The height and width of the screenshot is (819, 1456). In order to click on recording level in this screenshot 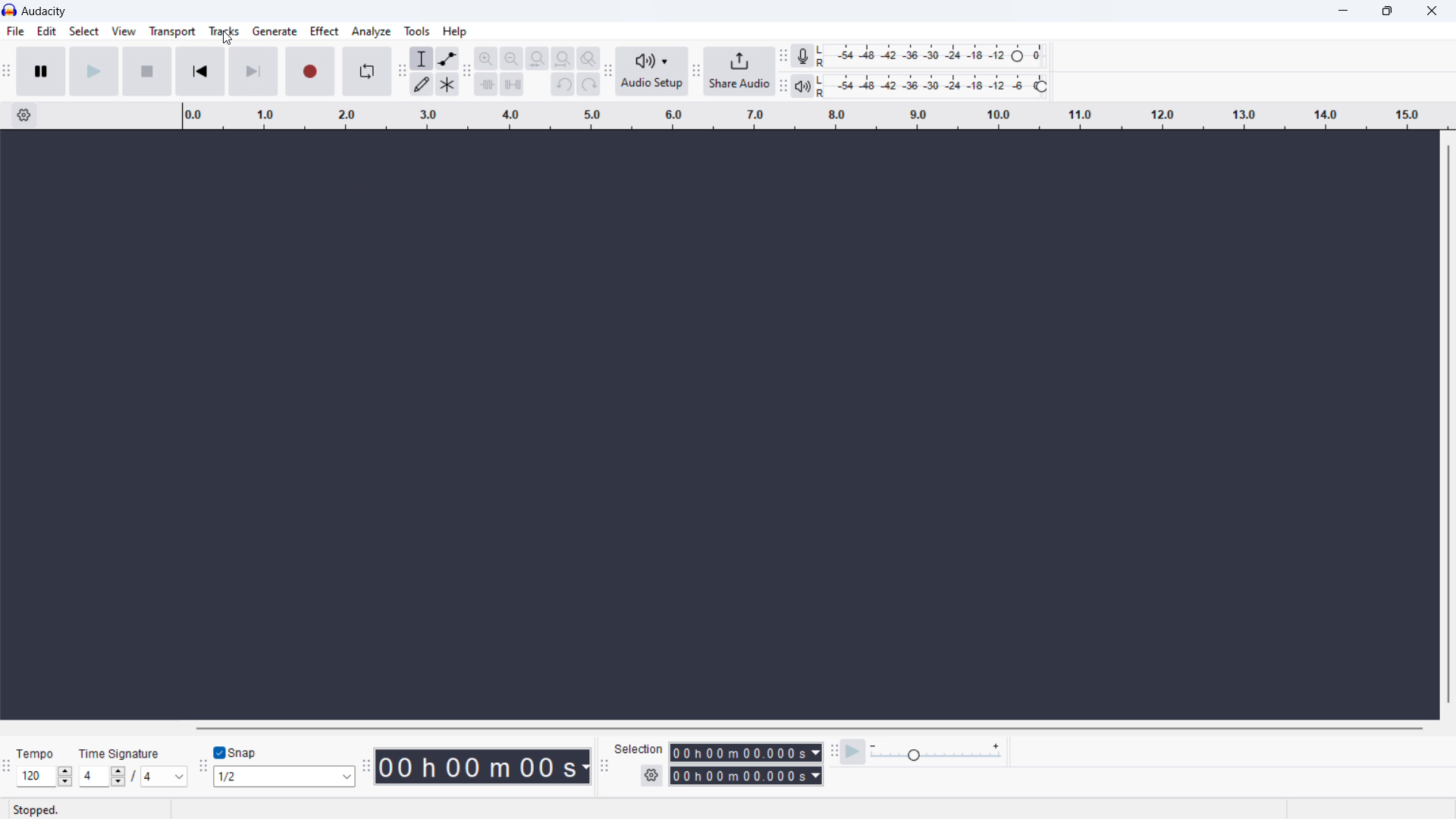, I will do `click(934, 56)`.